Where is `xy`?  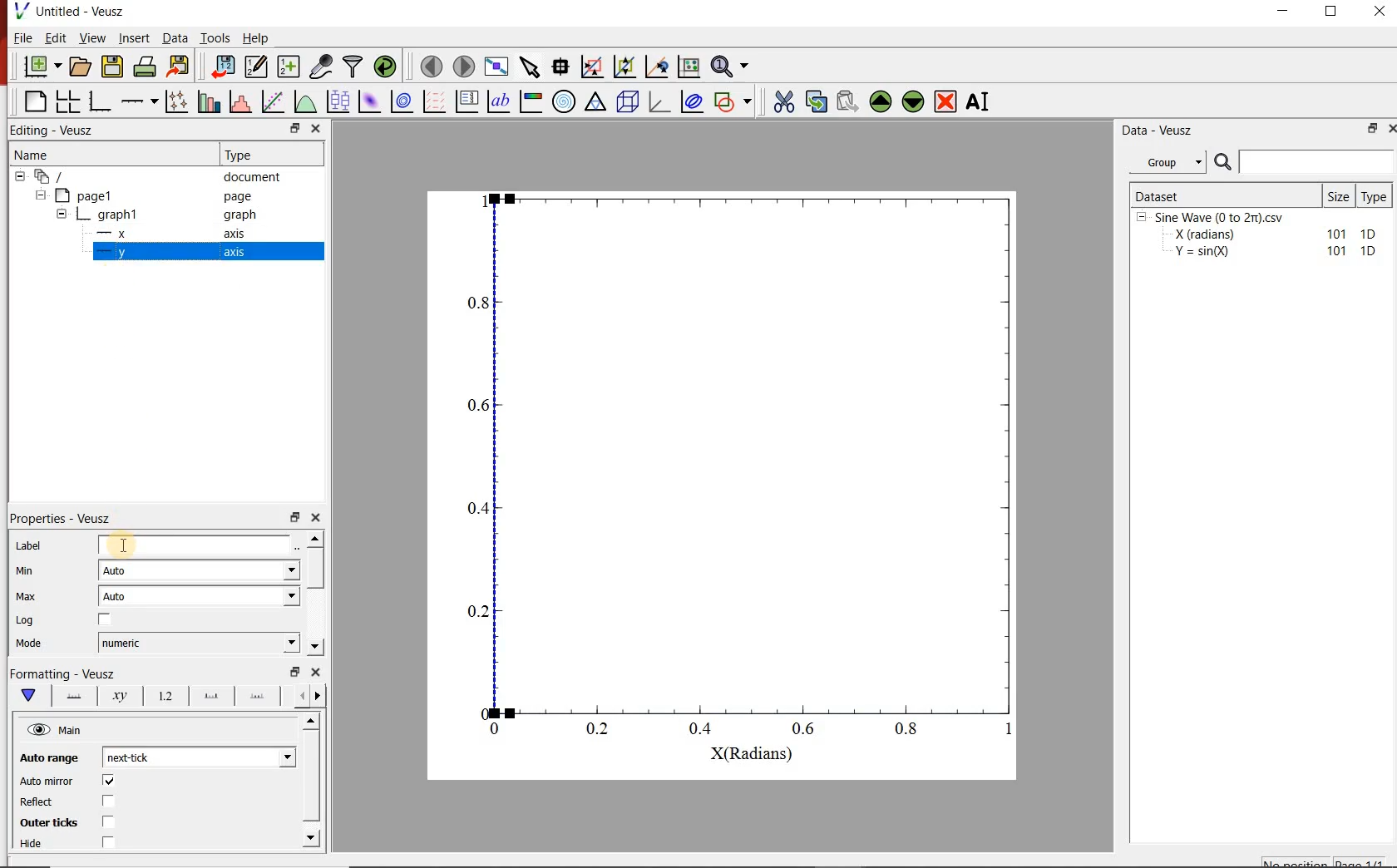
xy is located at coordinates (116, 696).